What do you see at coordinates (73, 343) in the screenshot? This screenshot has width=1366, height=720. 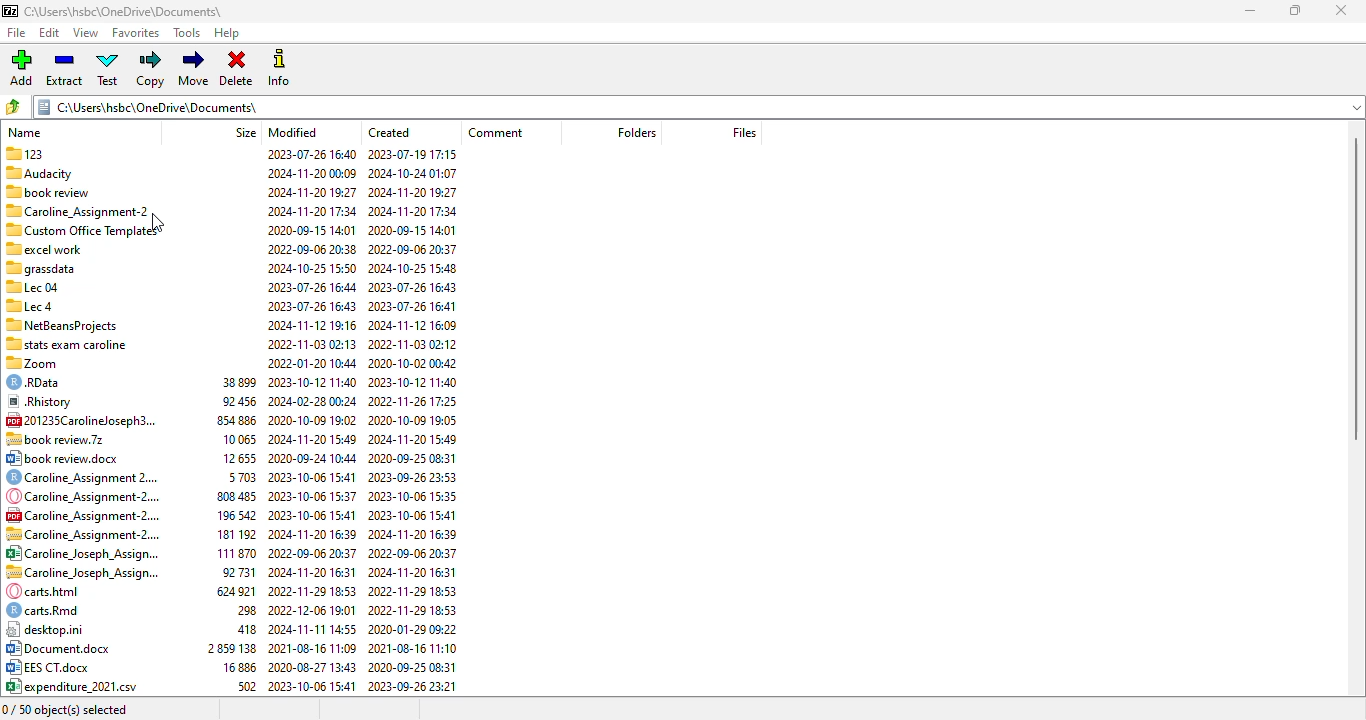 I see ` stats exam caroline` at bounding box center [73, 343].